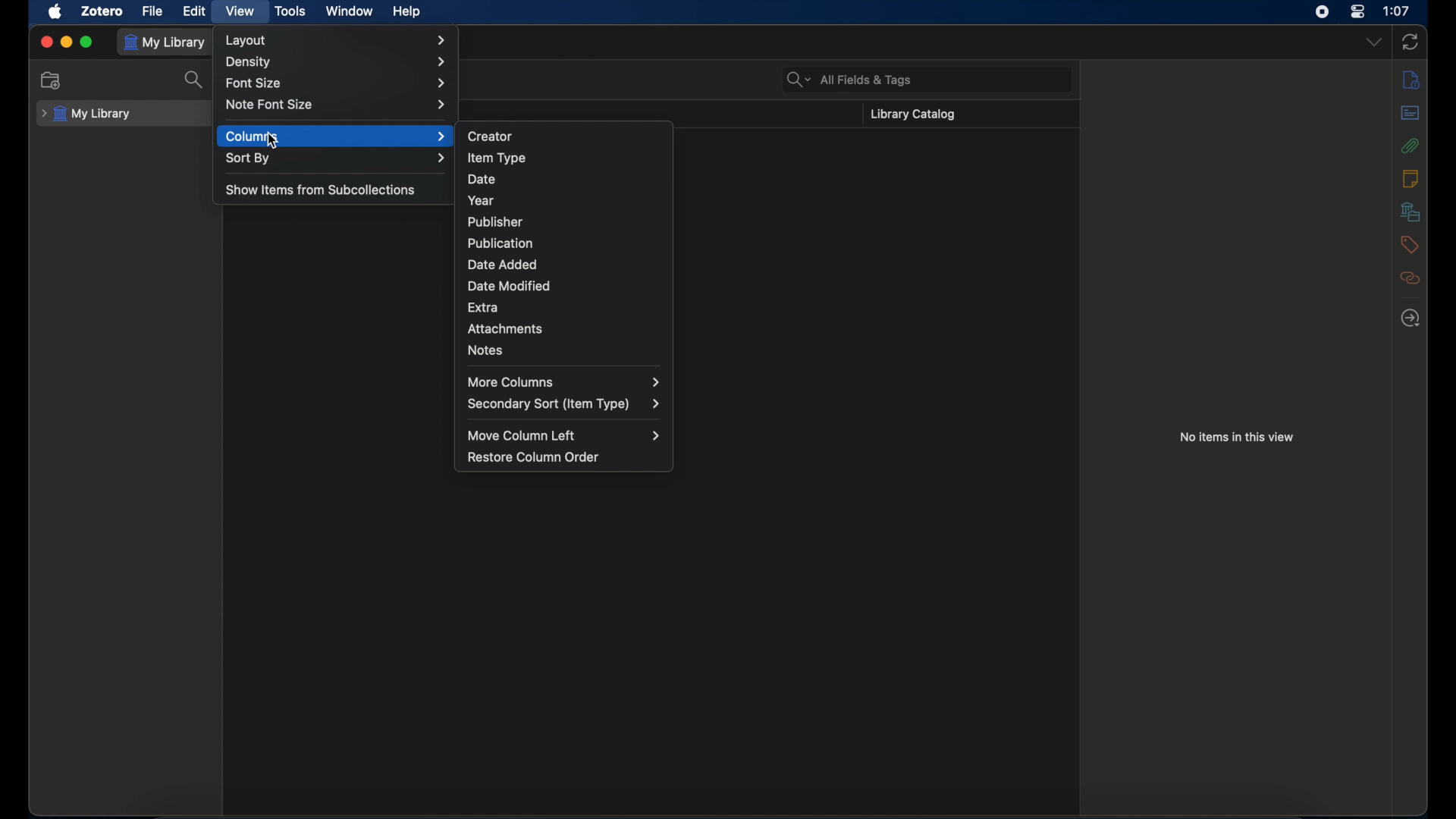  Describe the element at coordinates (485, 350) in the screenshot. I see `notes` at that location.